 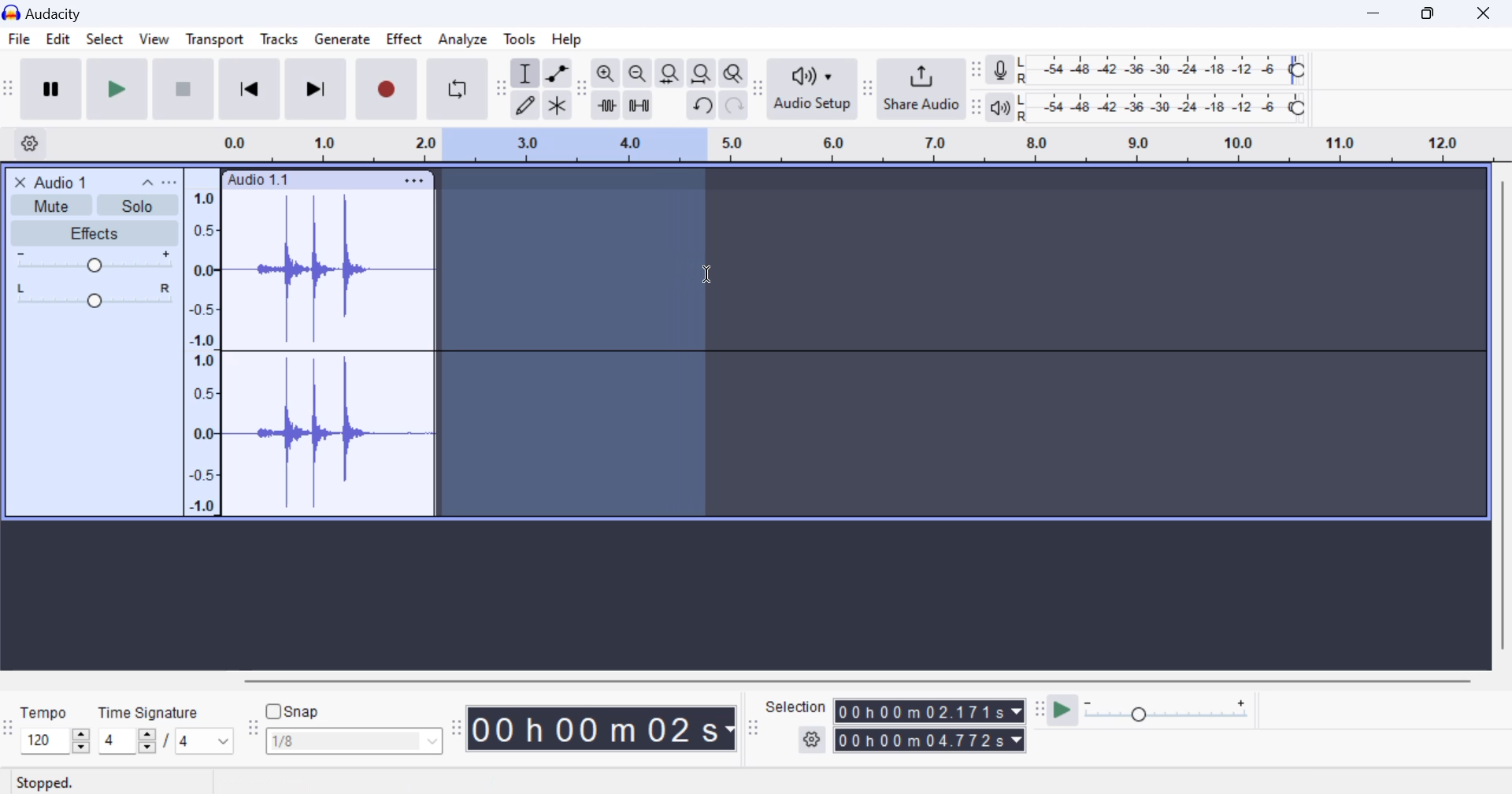 What do you see at coordinates (458, 89) in the screenshot?
I see `Enable Looping` at bounding box center [458, 89].